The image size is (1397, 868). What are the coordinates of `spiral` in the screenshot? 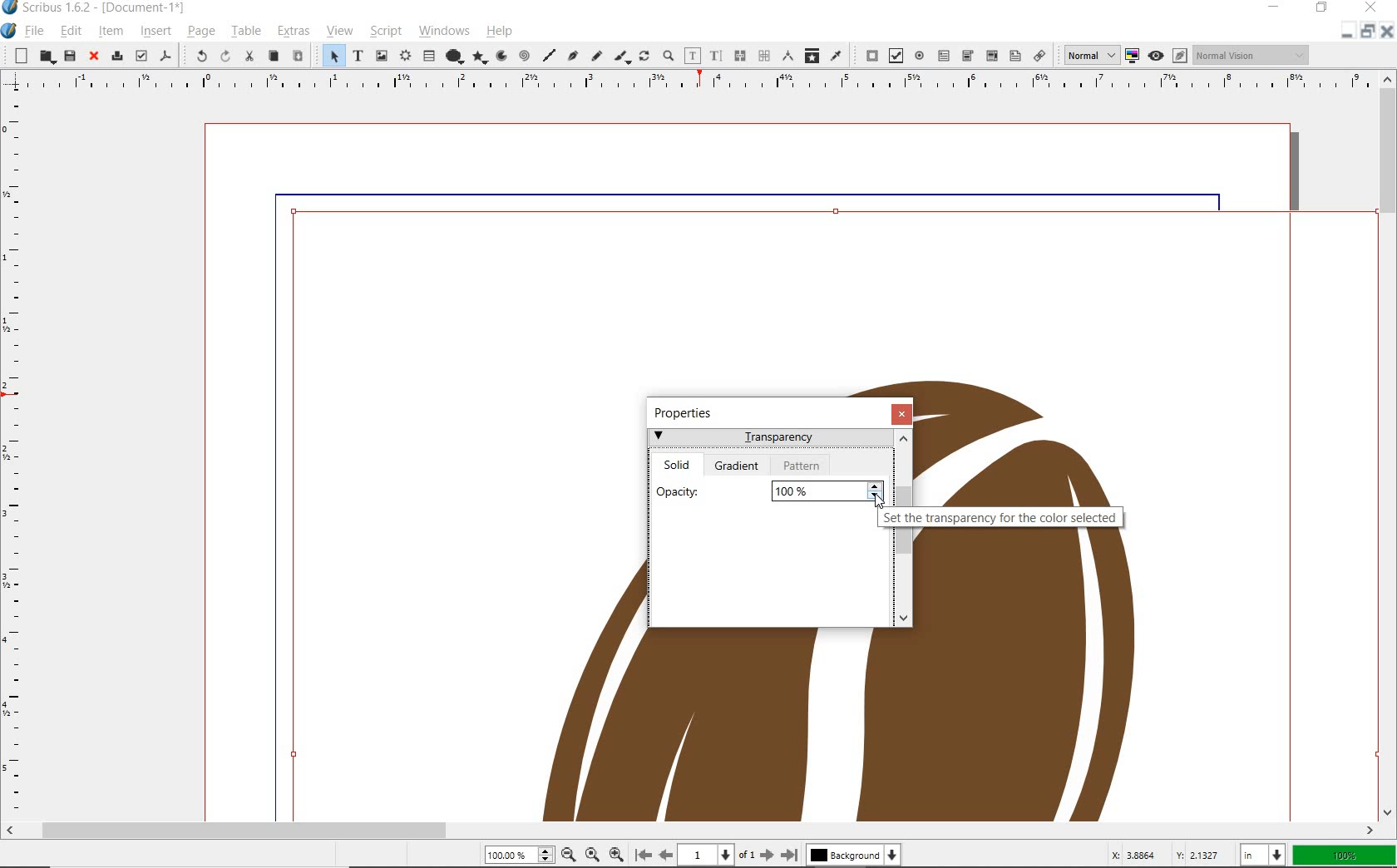 It's located at (526, 56).